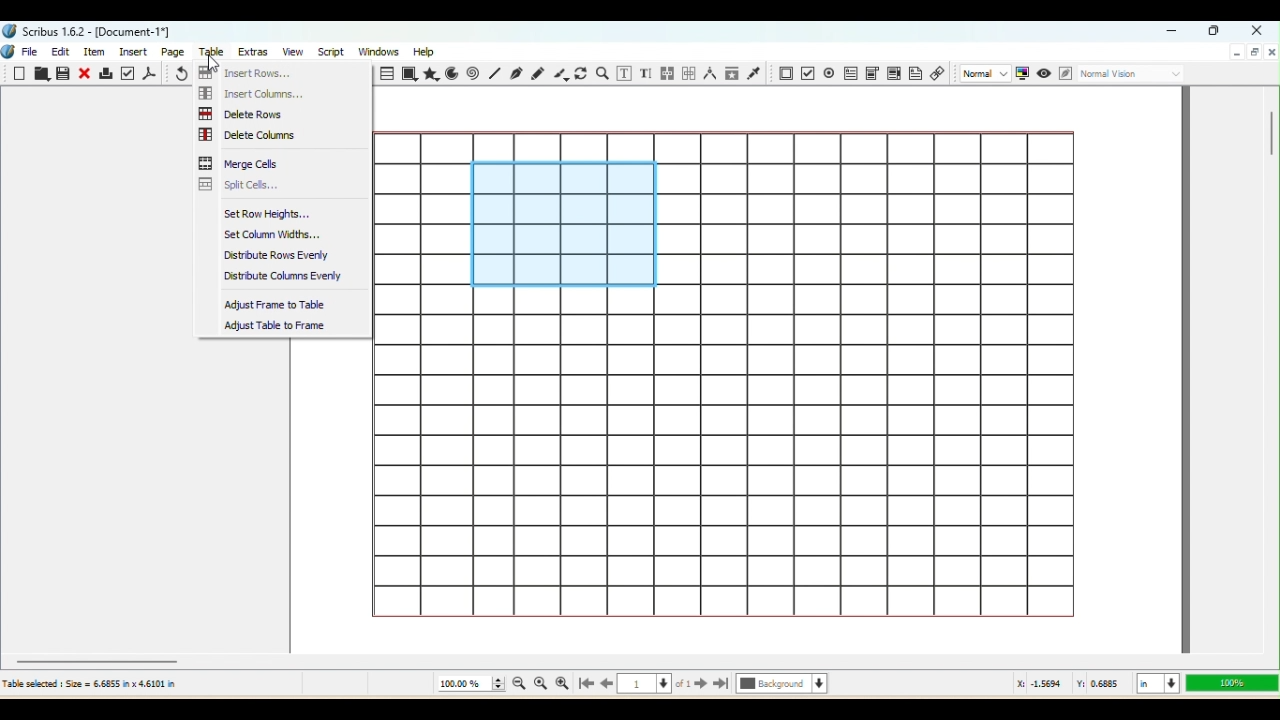  What do you see at coordinates (277, 255) in the screenshot?
I see `Distribute Rows Evenly` at bounding box center [277, 255].